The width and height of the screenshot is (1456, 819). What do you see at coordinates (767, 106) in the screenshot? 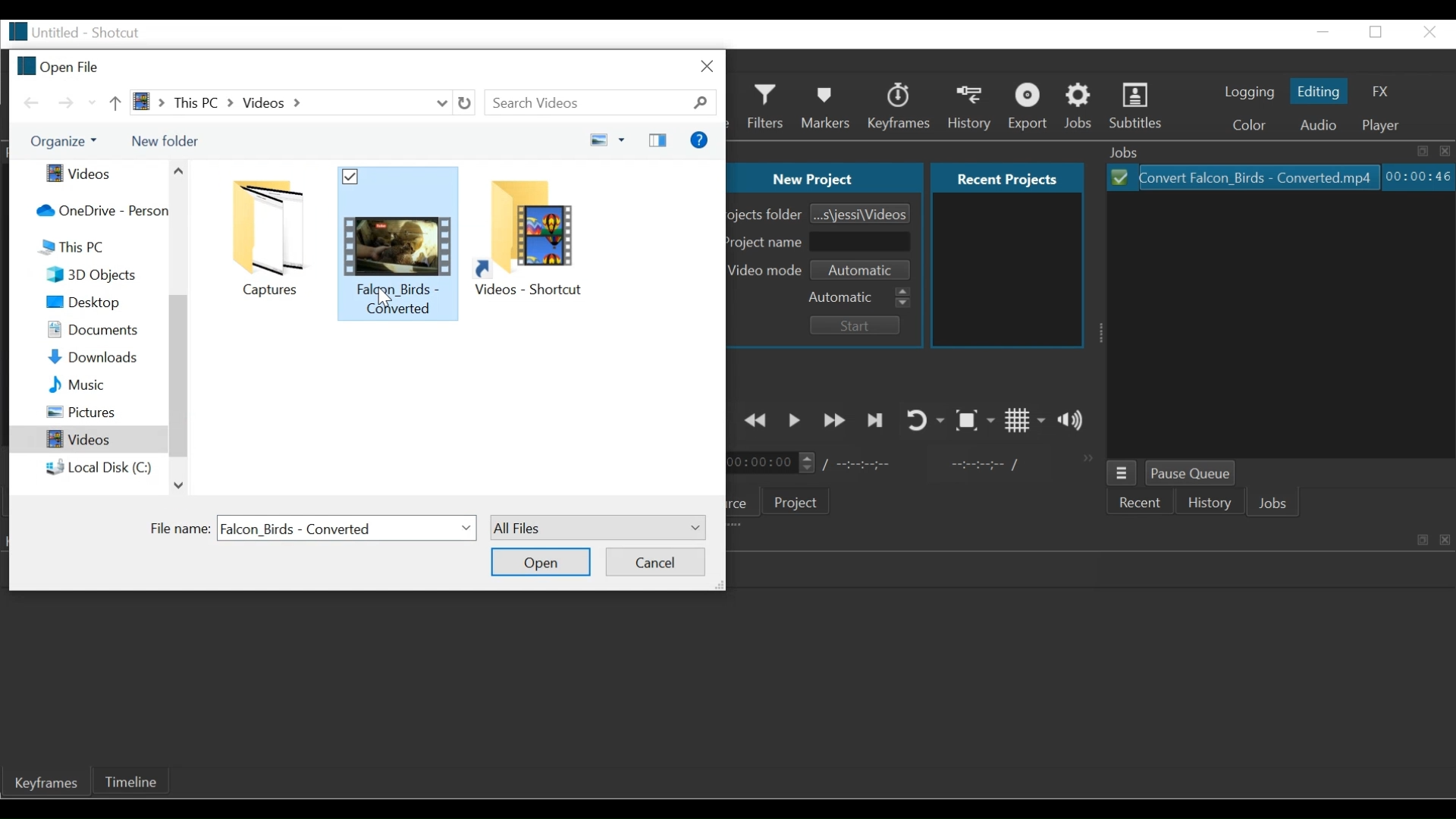
I see `Filters` at bounding box center [767, 106].